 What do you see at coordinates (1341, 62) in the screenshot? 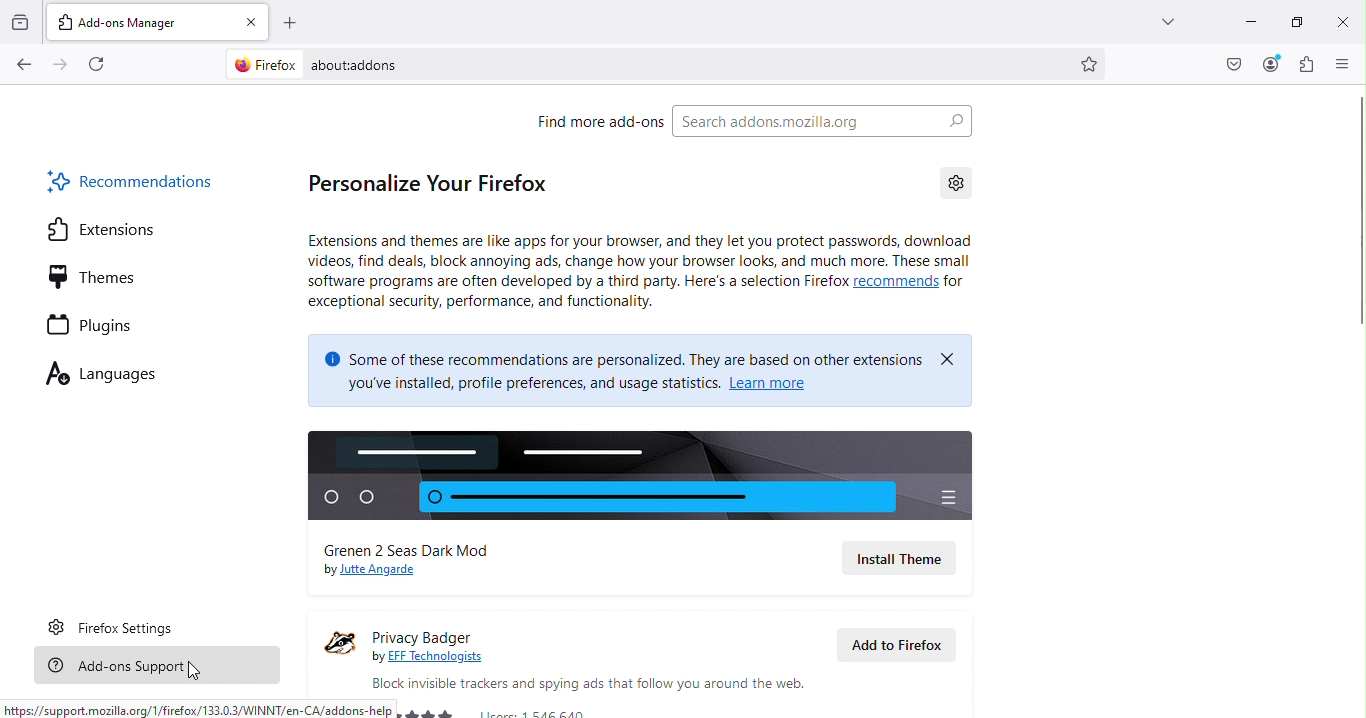
I see `Open application menu` at bounding box center [1341, 62].